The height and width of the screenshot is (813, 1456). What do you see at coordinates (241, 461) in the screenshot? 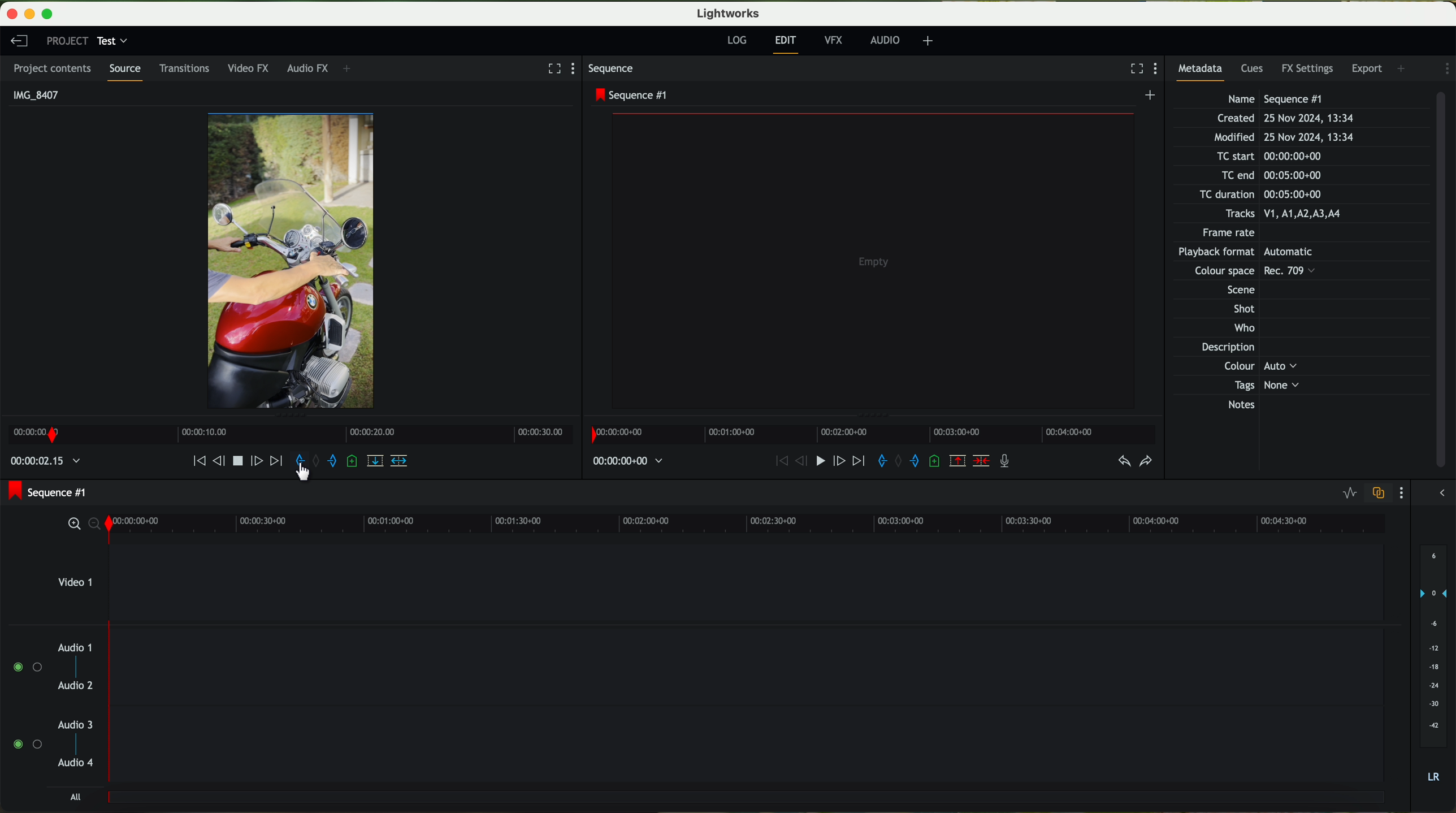
I see ` play` at bounding box center [241, 461].